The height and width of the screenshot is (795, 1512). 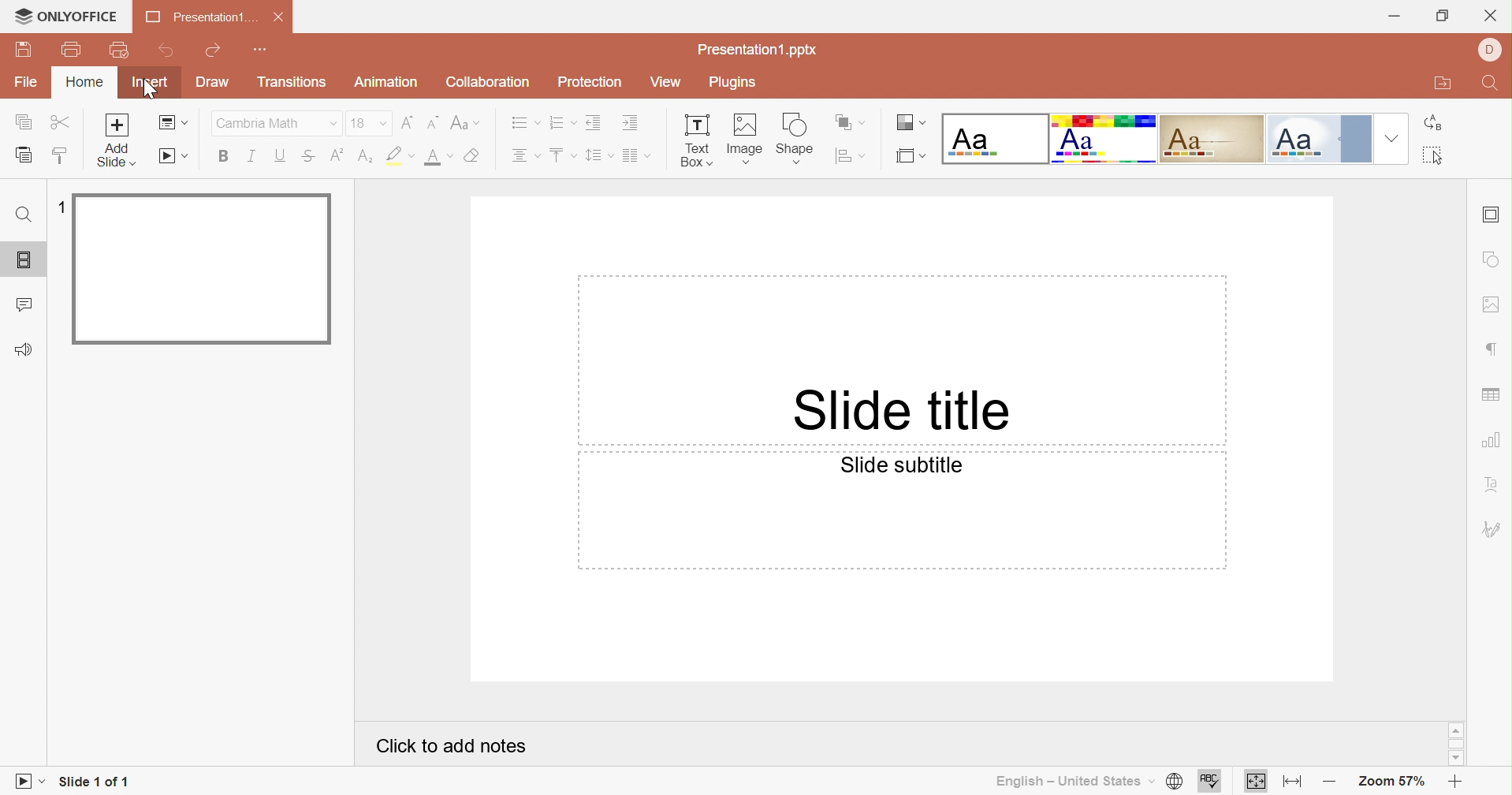 What do you see at coordinates (795, 141) in the screenshot?
I see `Shapes` at bounding box center [795, 141].